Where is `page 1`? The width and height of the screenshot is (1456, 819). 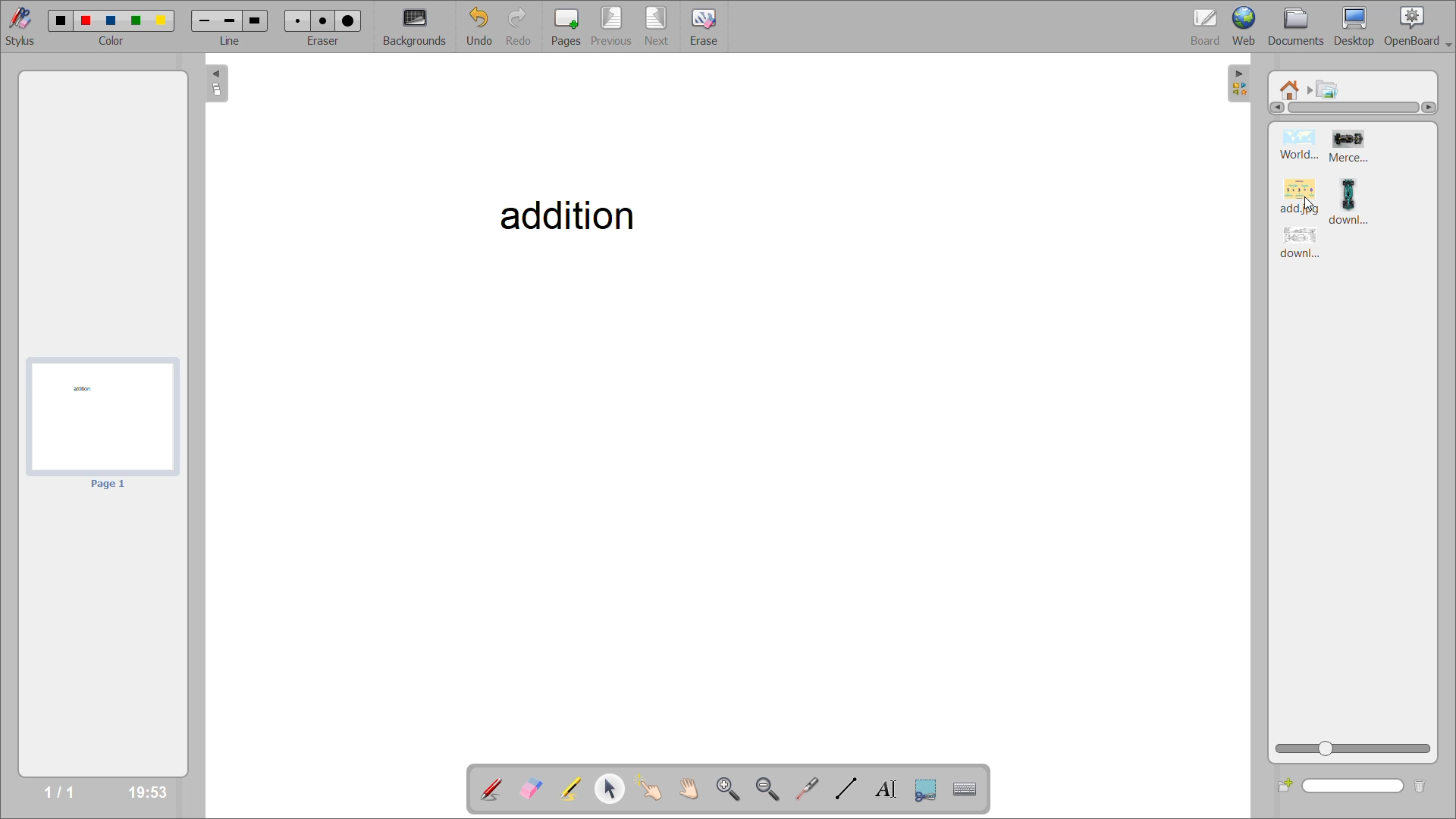
page 1 is located at coordinates (107, 485).